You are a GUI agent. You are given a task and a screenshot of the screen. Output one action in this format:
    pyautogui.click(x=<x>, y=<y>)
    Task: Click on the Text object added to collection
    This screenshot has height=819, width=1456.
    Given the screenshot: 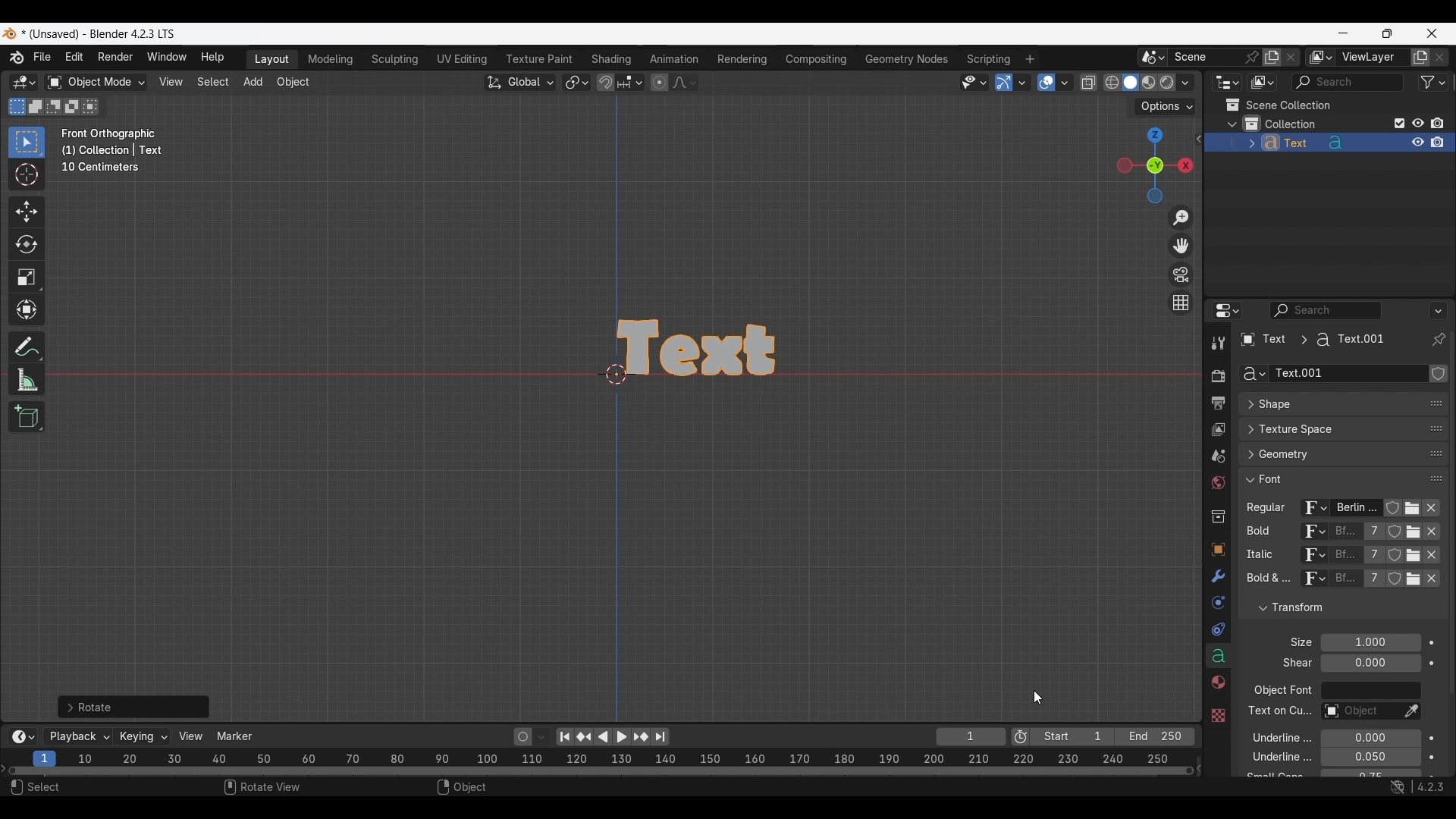 What is the action you would take?
    pyautogui.click(x=1329, y=143)
    